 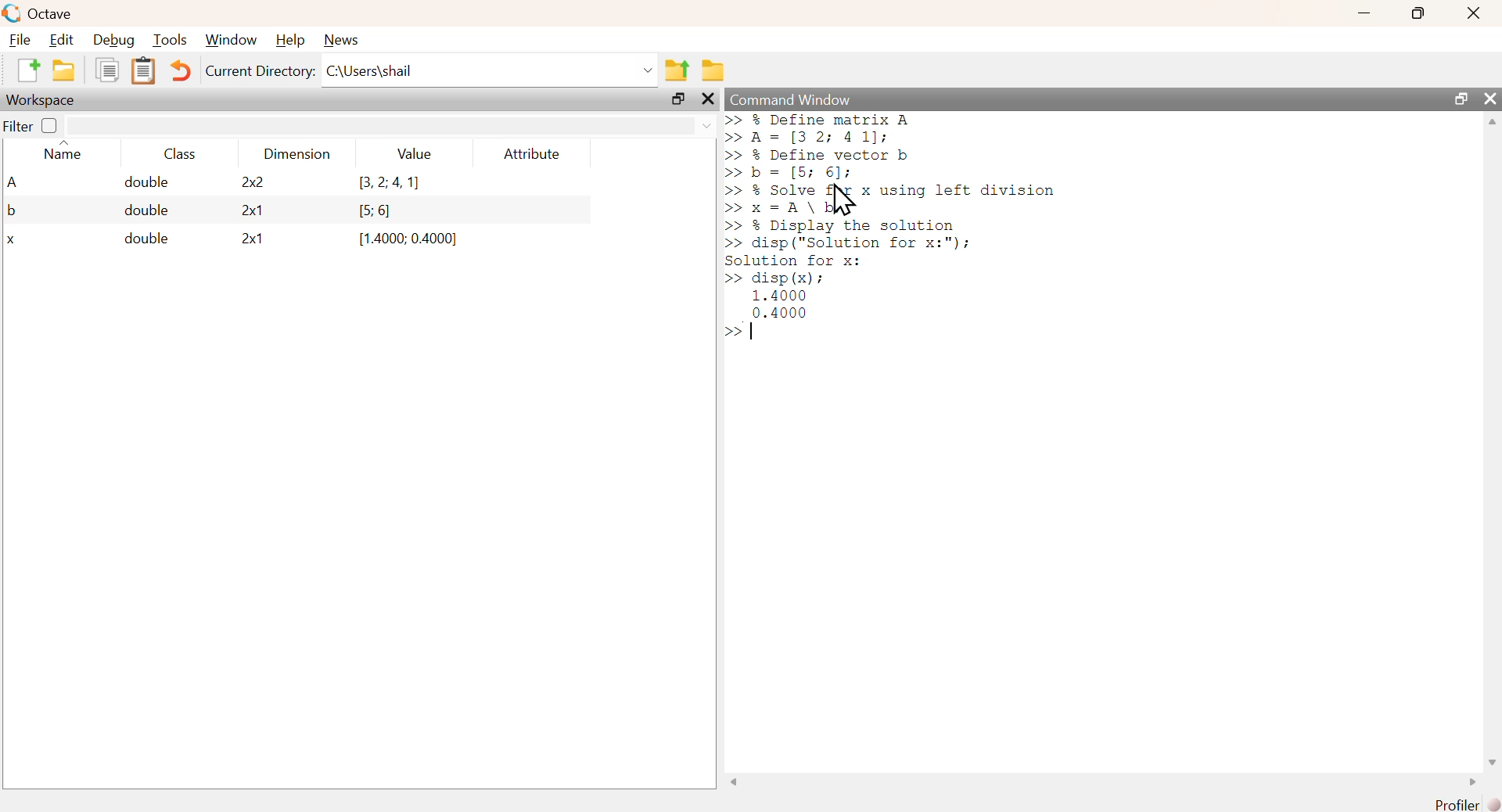 What do you see at coordinates (1362, 15) in the screenshot?
I see `minimize` at bounding box center [1362, 15].